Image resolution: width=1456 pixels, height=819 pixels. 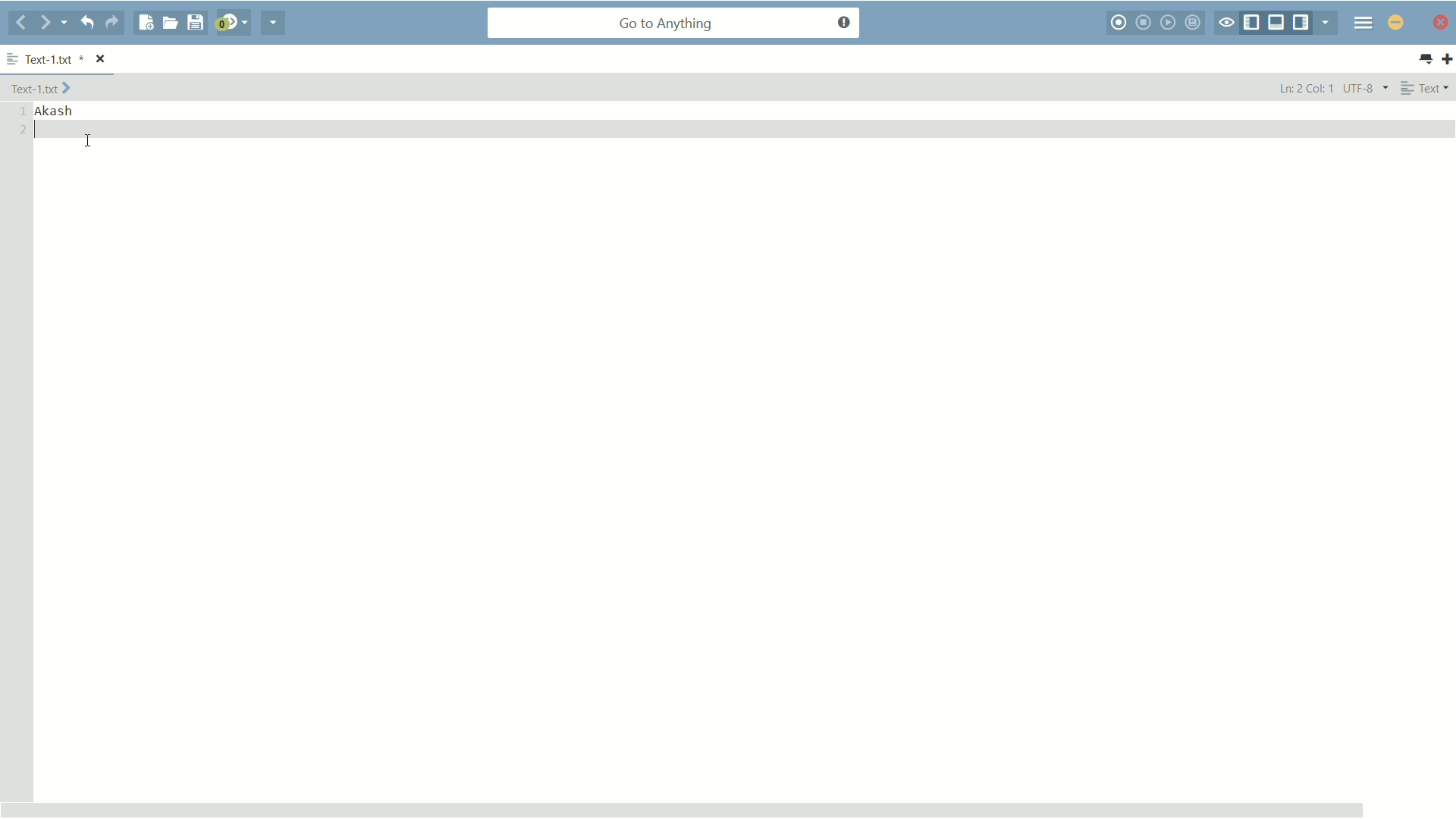 I want to click on show specific sidebar/tab, so click(x=1326, y=22).